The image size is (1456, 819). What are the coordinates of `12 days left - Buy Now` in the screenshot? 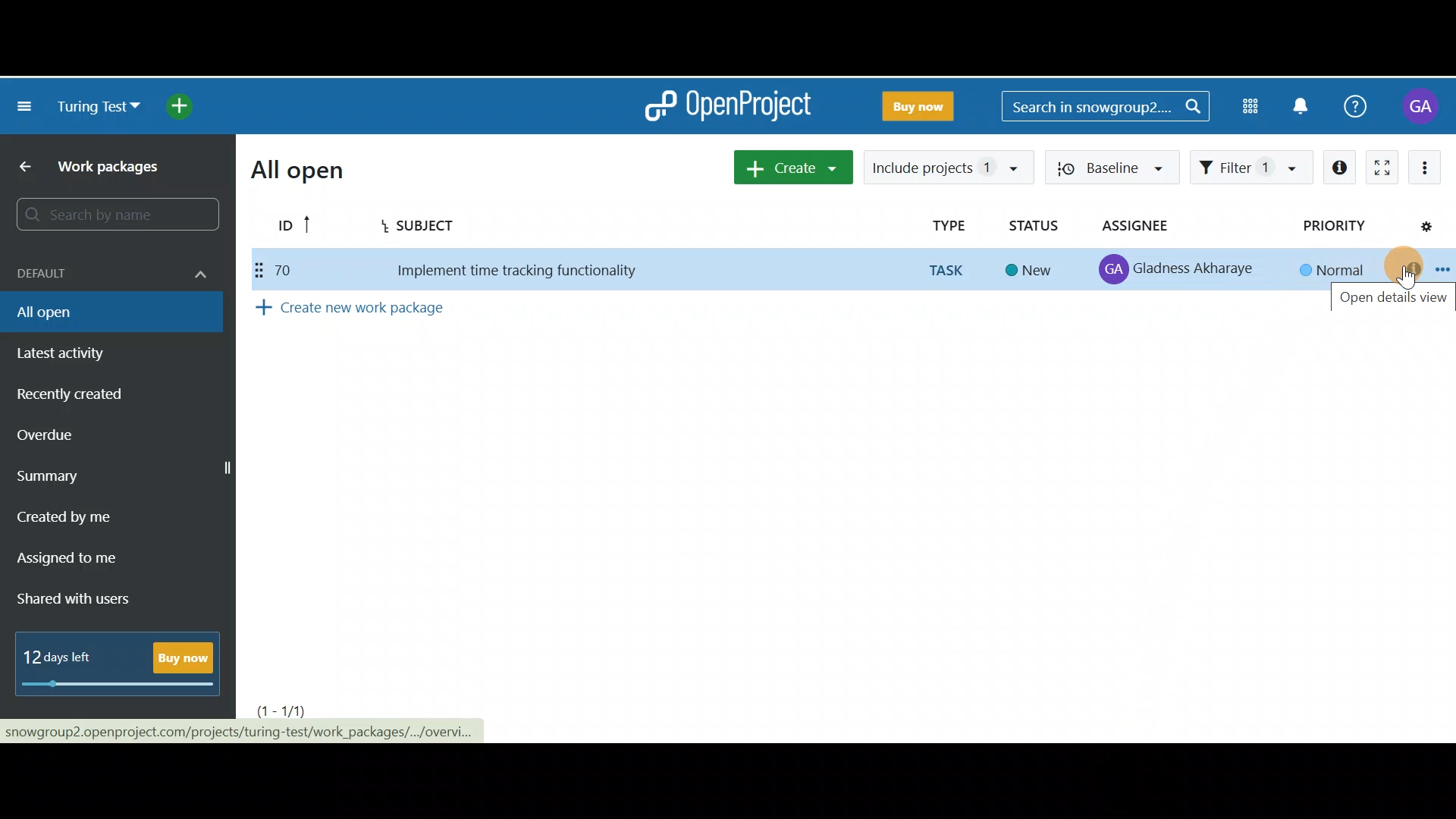 It's located at (123, 660).